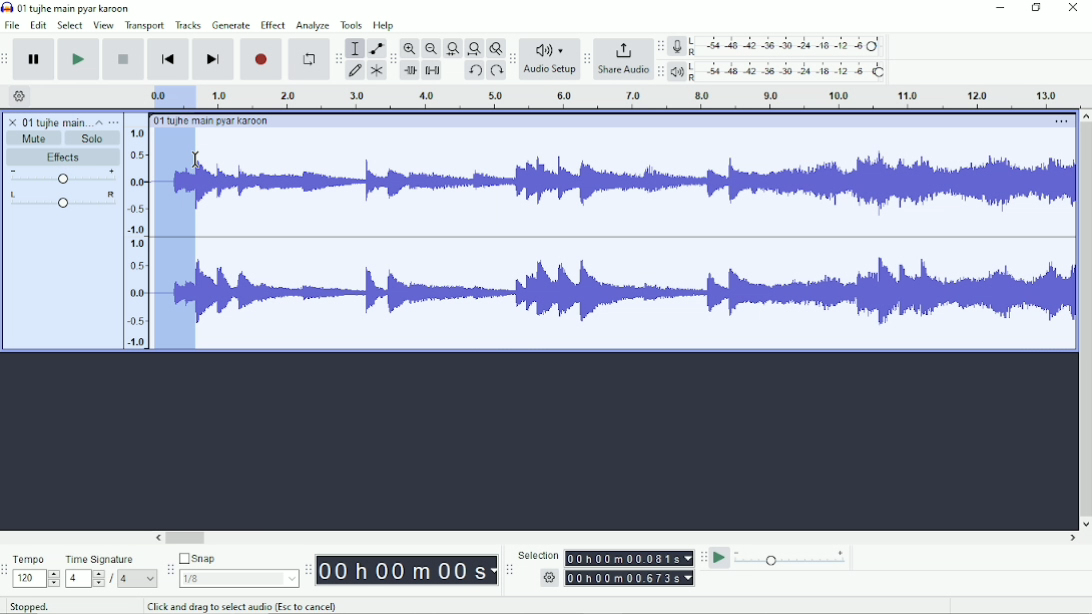 The height and width of the screenshot is (614, 1092). What do you see at coordinates (114, 122) in the screenshot?
I see `Open menu` at bounding box center [114, 122].